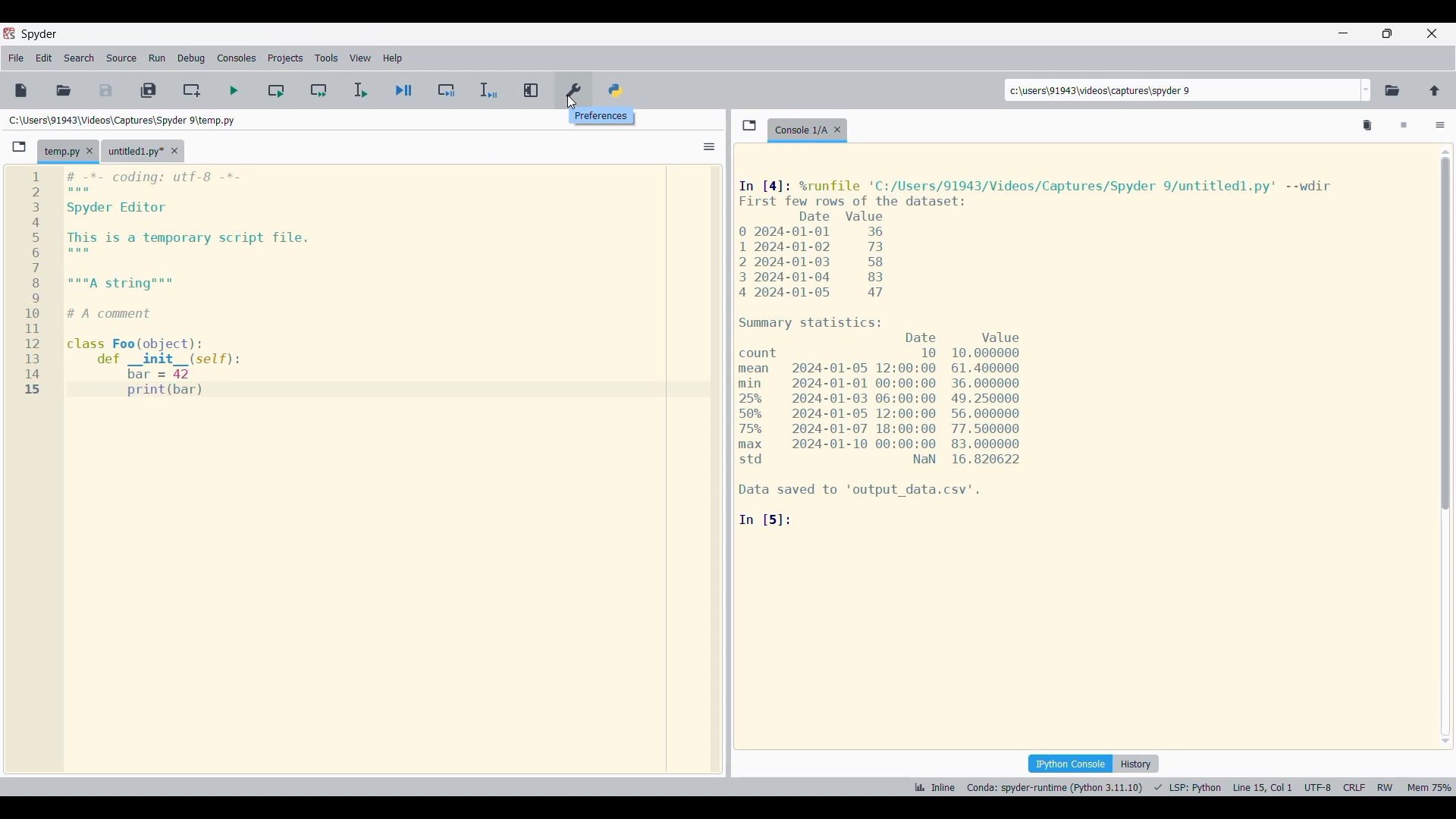 The height and width of the screenshot is (819, 1456). I want to click on Remove all variables from namespace, so click(1367, 126).